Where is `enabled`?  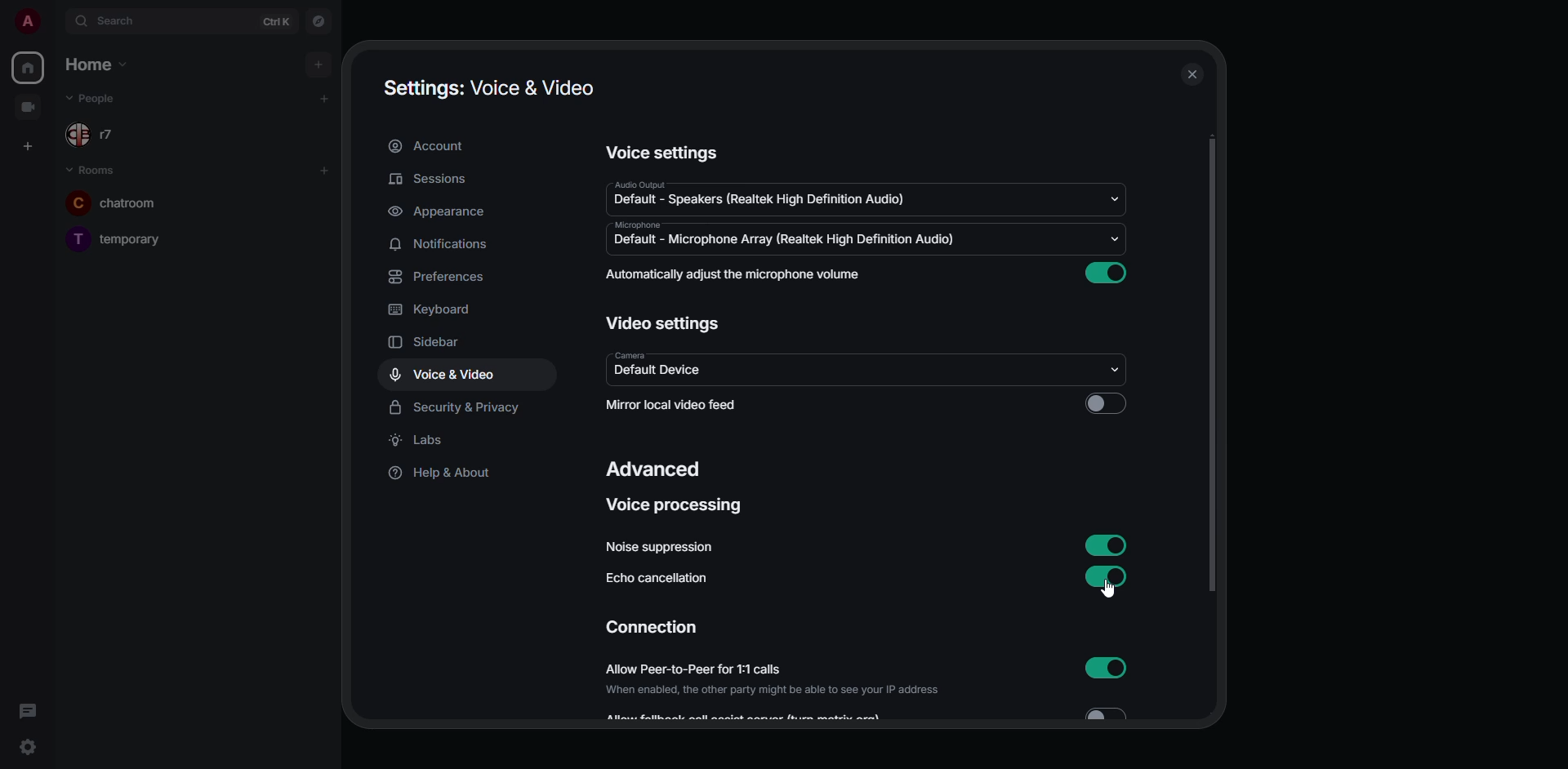 enabled is located at coordinates (1106, 575).